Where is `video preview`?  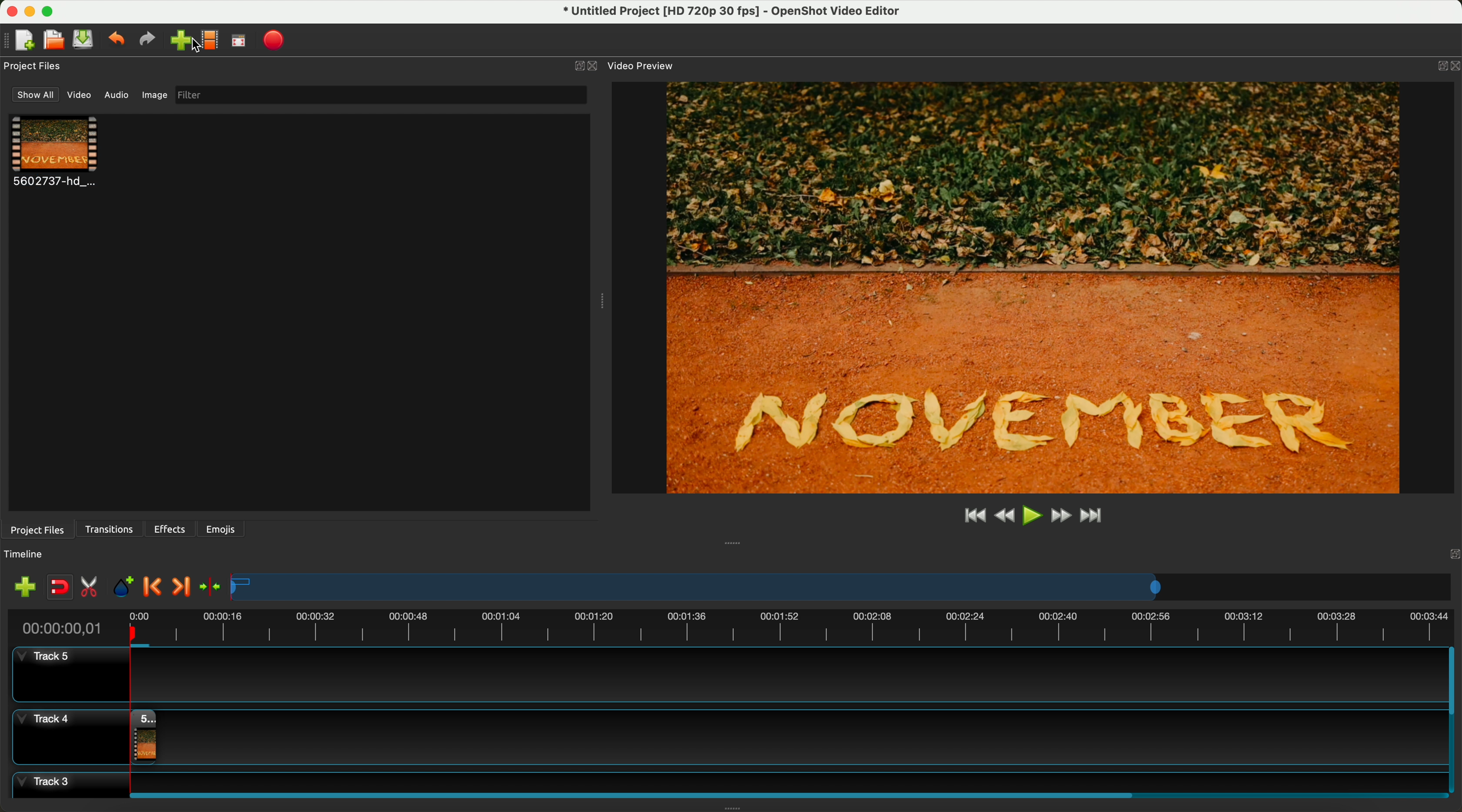
video preview is located at coordinates (640, 66).